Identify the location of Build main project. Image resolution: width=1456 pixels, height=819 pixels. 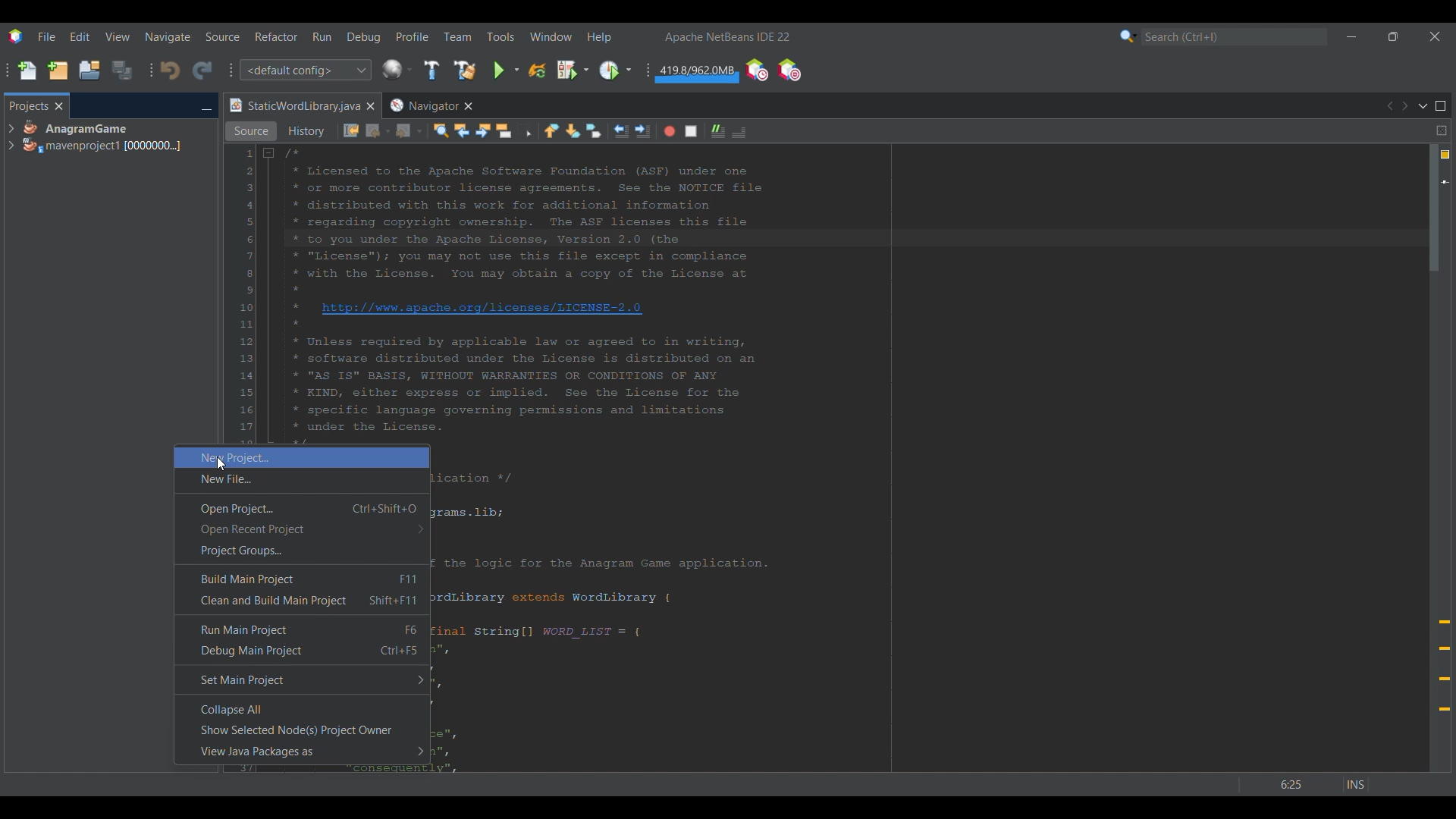
(431, 70).